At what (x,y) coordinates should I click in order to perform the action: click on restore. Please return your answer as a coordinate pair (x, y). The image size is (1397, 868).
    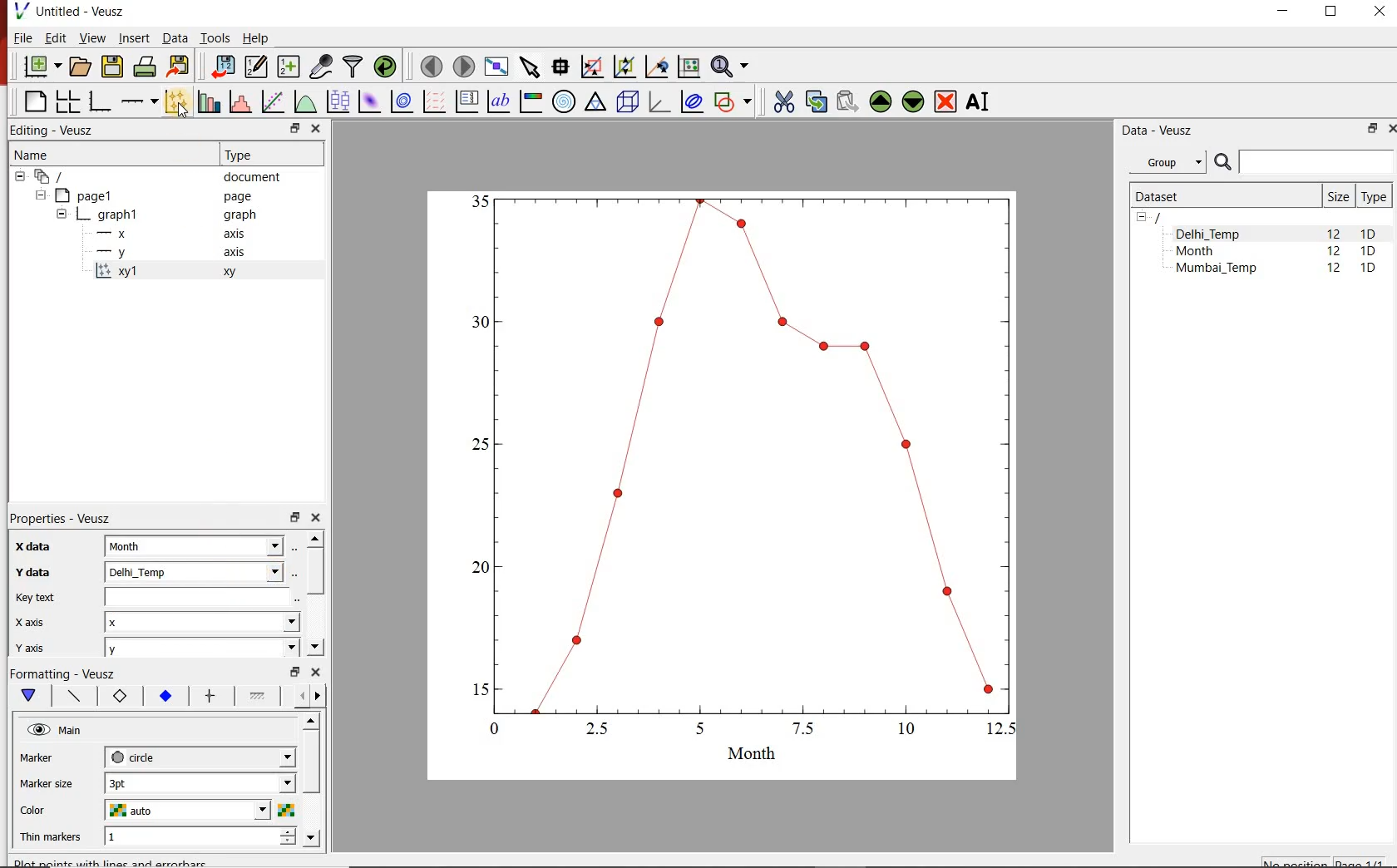
    Looking at the image, I should click on (297, 671).